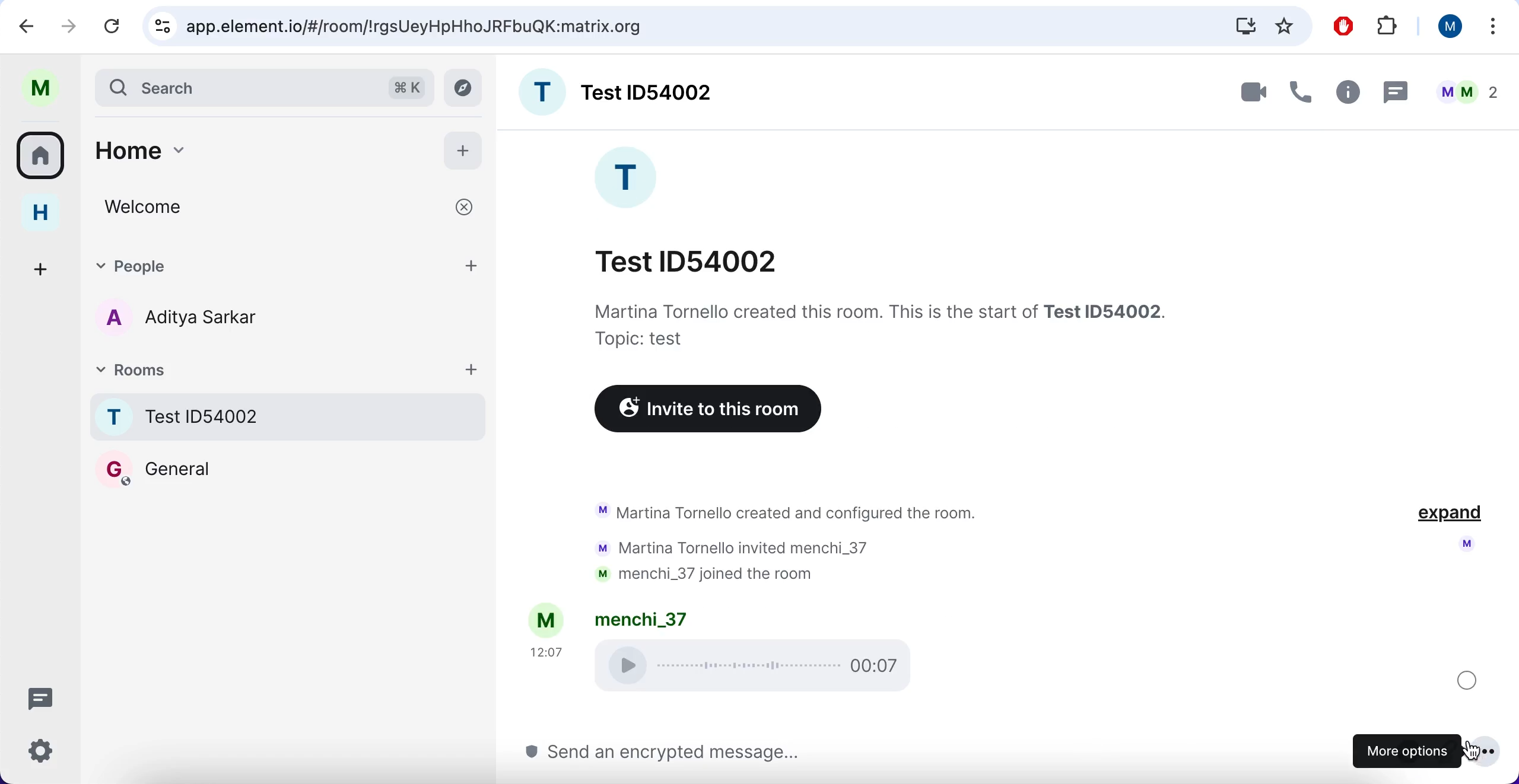 This screenshot has height=784, width=1519. Describe the element at coordinates (1342, 25) in the screenshot. I see `ad block` at that location.